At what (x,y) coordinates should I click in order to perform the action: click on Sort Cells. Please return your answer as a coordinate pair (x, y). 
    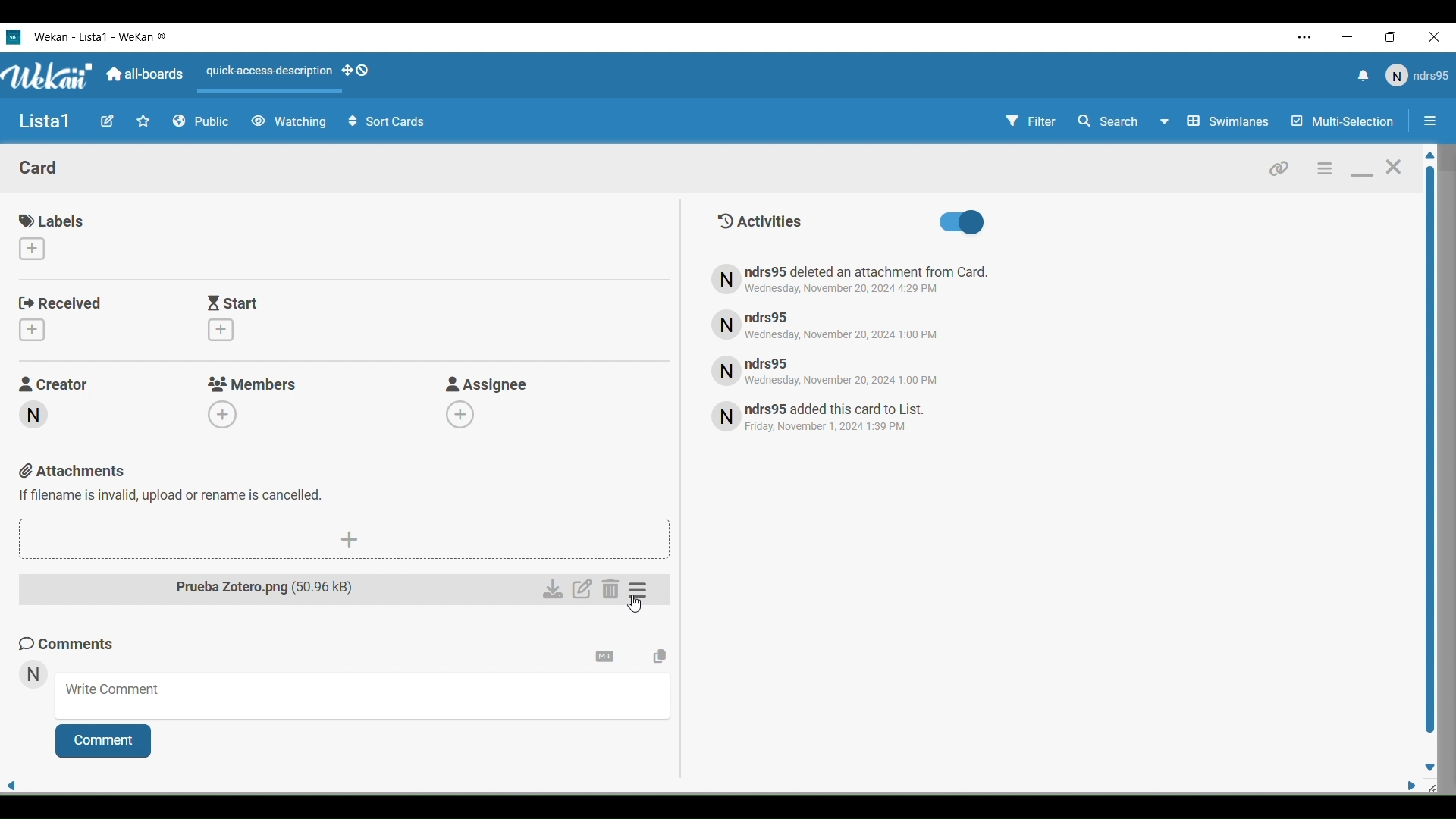
    Looking at the image, I should click on (387, 122).